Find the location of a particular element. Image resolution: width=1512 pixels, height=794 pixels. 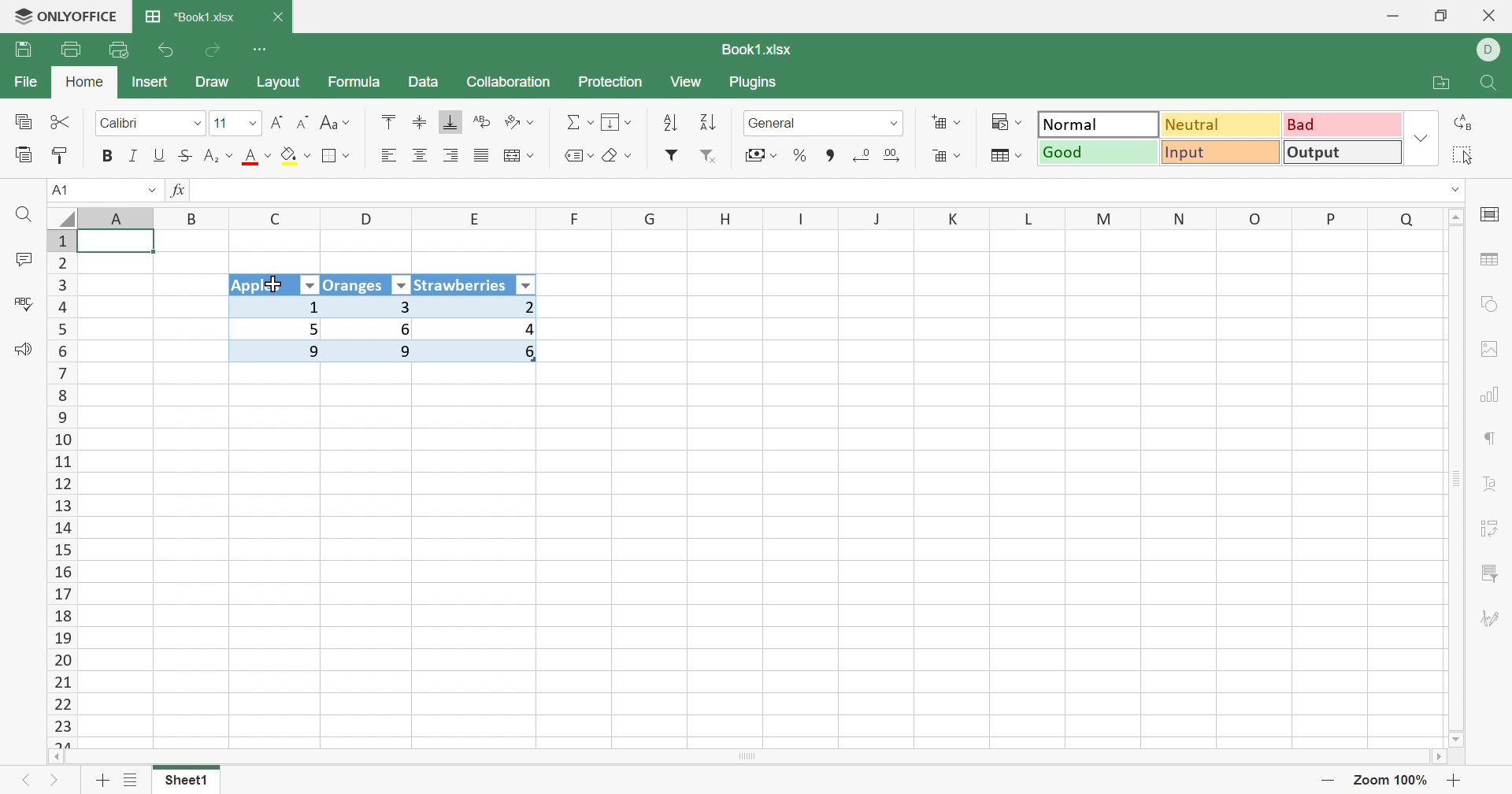

3 is located at coordinates (372, 306).